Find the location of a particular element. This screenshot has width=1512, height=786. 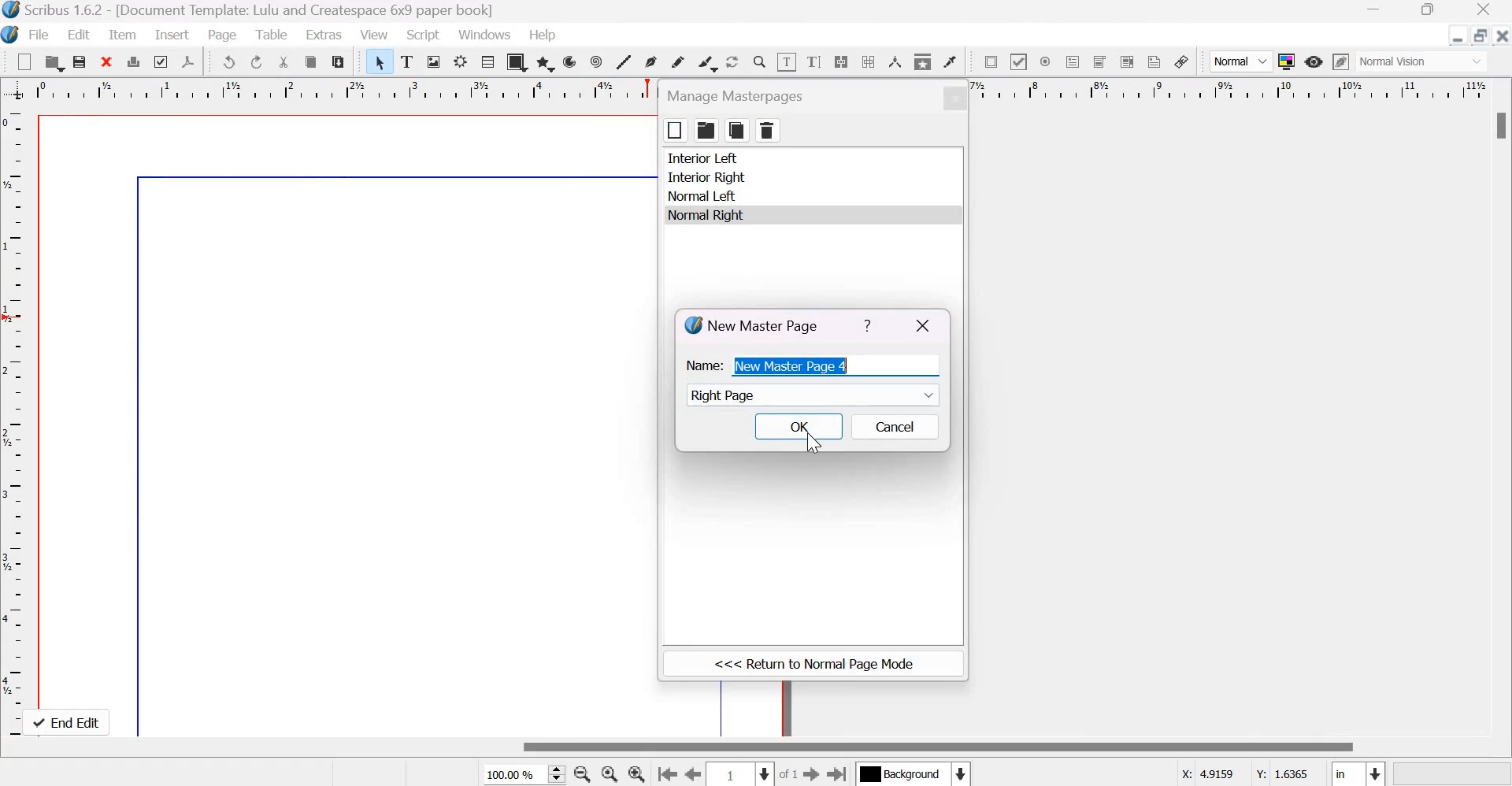

preflight verifier is located at coordinates (162, 61).